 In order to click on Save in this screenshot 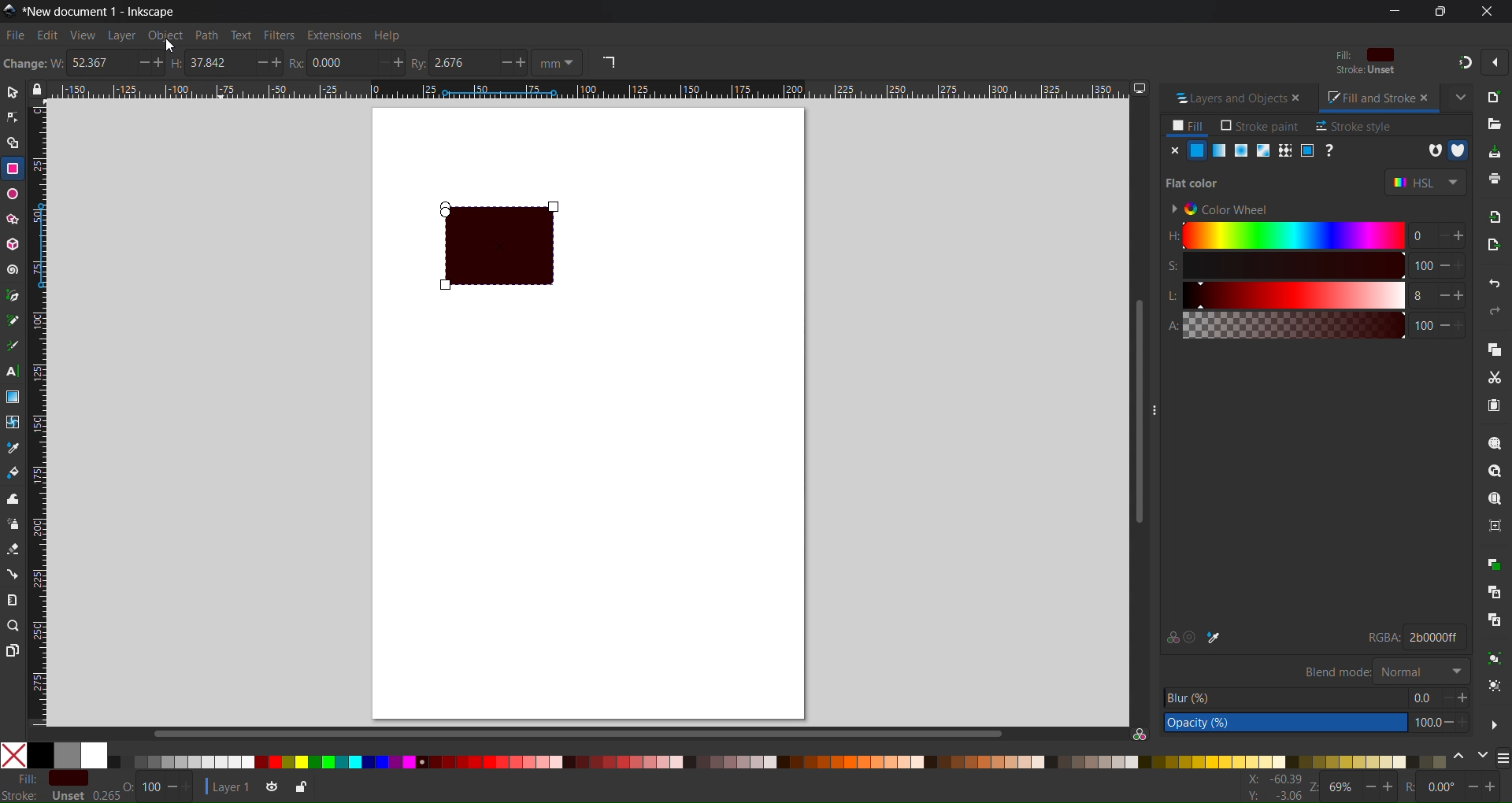, I will do `click(1493, 151)`.